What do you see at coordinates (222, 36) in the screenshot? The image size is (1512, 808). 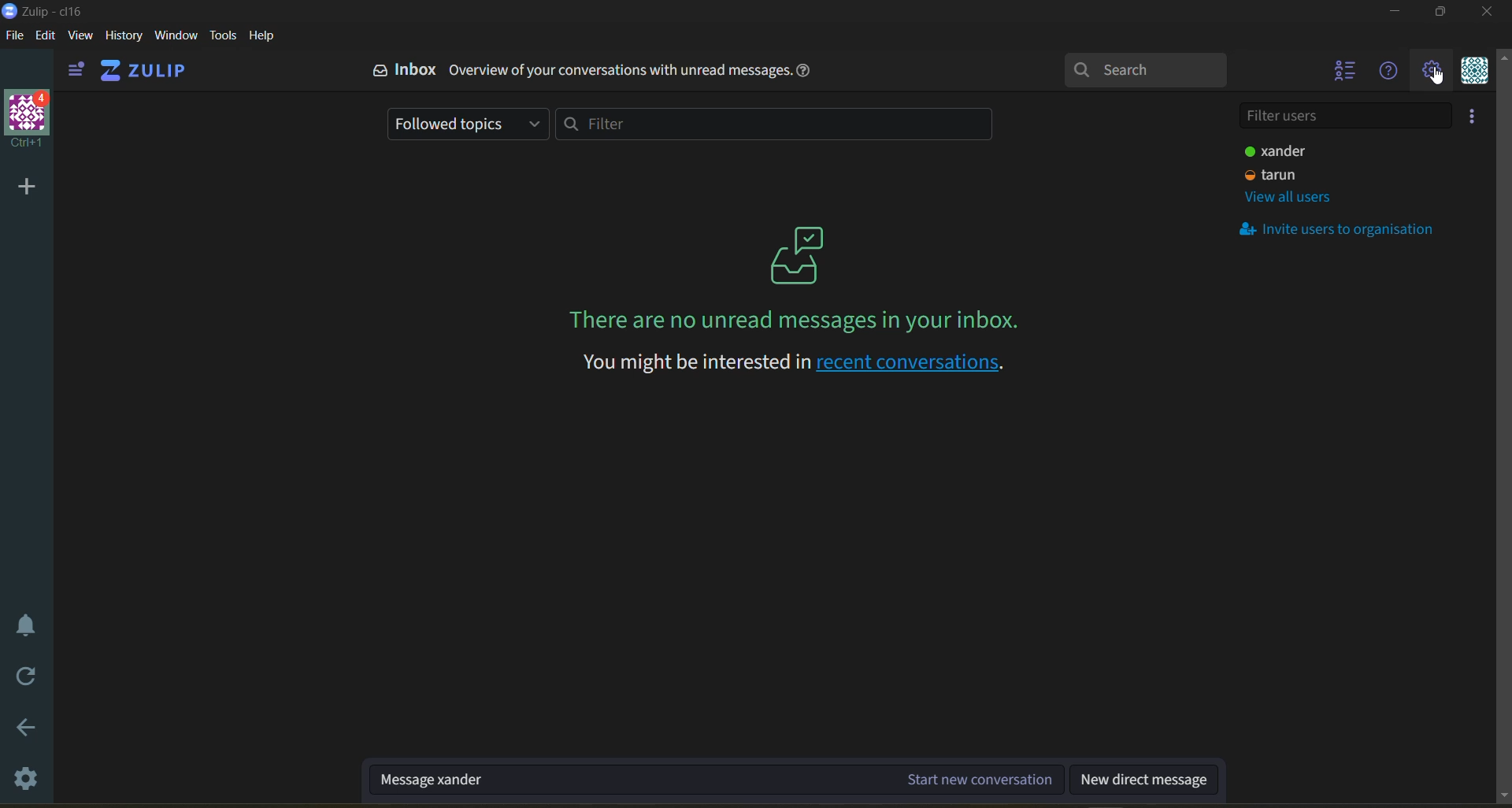 I see `tools` at bounding box center [222, 36].